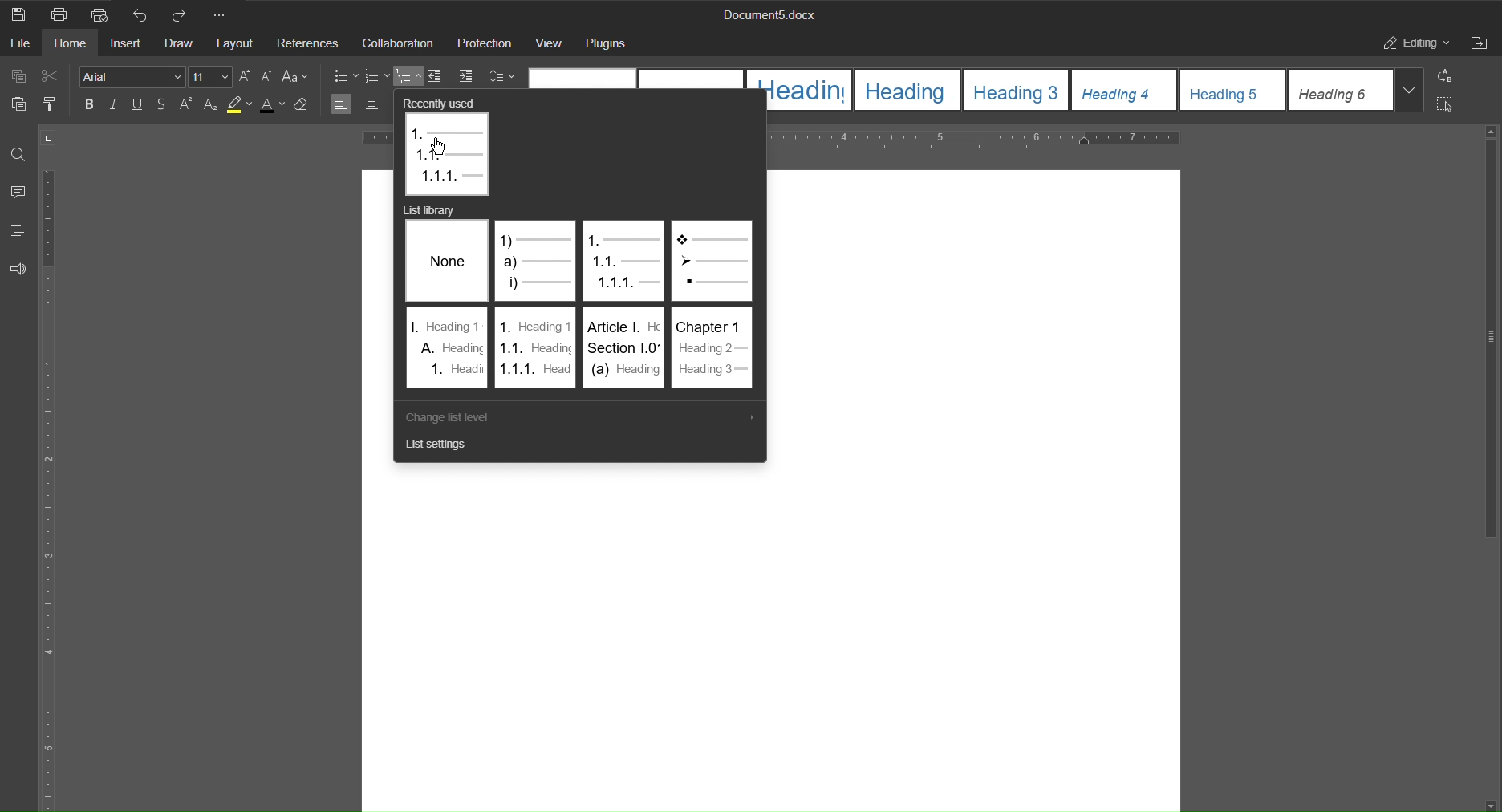 The image size is (1502, 812). What do you see at coordinates (437, 76) in the screenshot?
I see `decrease indent` at bounding box center [437, 76].